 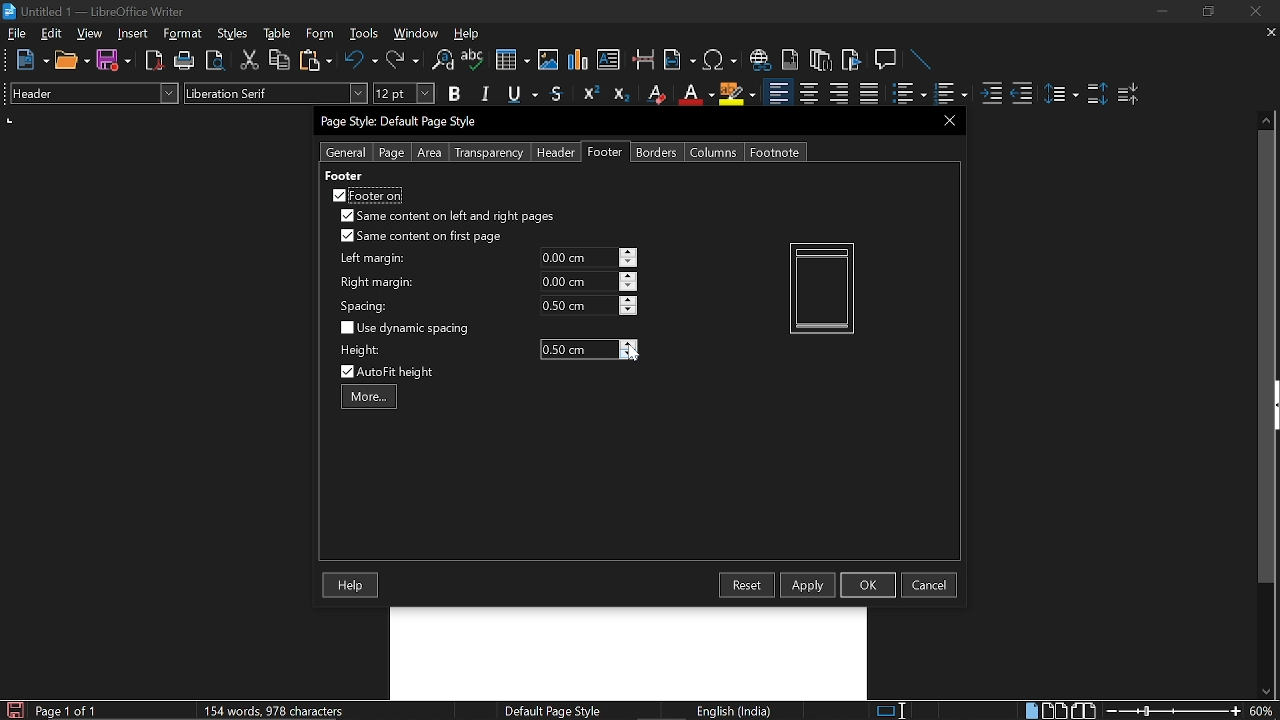 I want to click on Multiple page view, so click(x=1054, y=711).